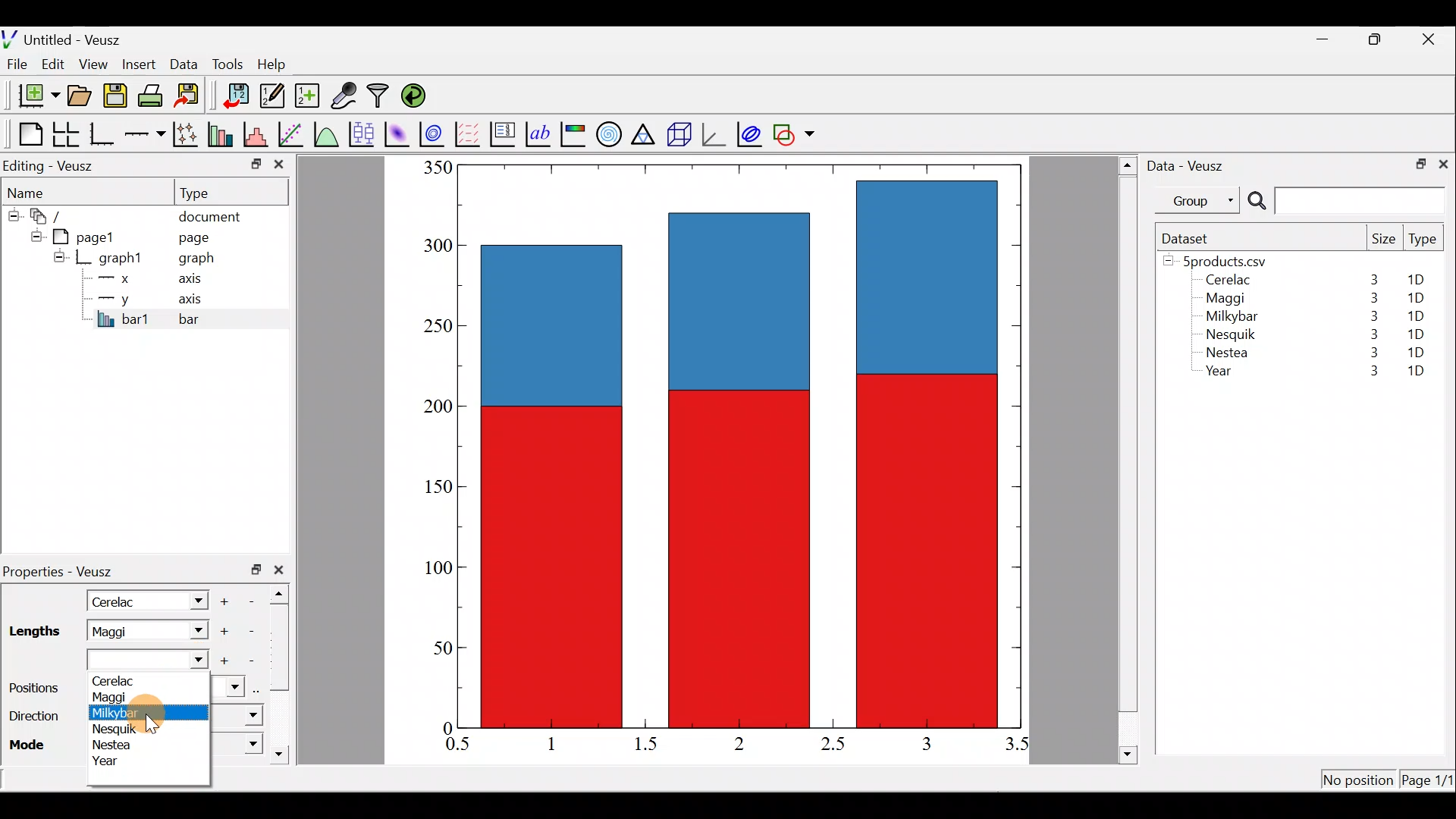 This screenshot has width=1456, height=819. What do you see at coordinates (795, 132) in the screenshot?
I see `Add a shape to the plot.` at bounding box center [795, 132].